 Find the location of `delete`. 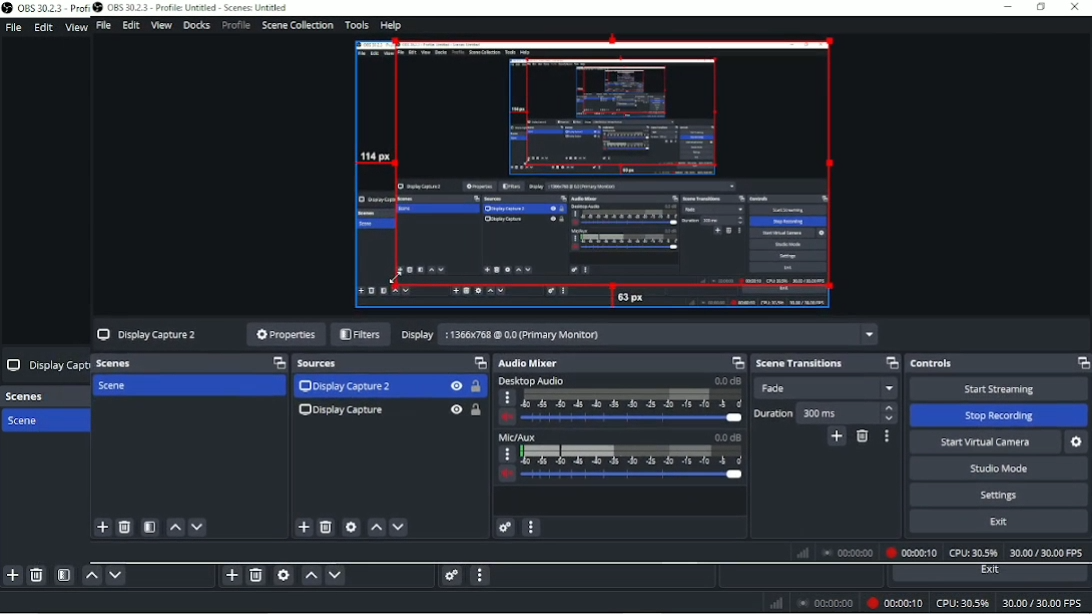

delete is located at coordinates (125, 527).